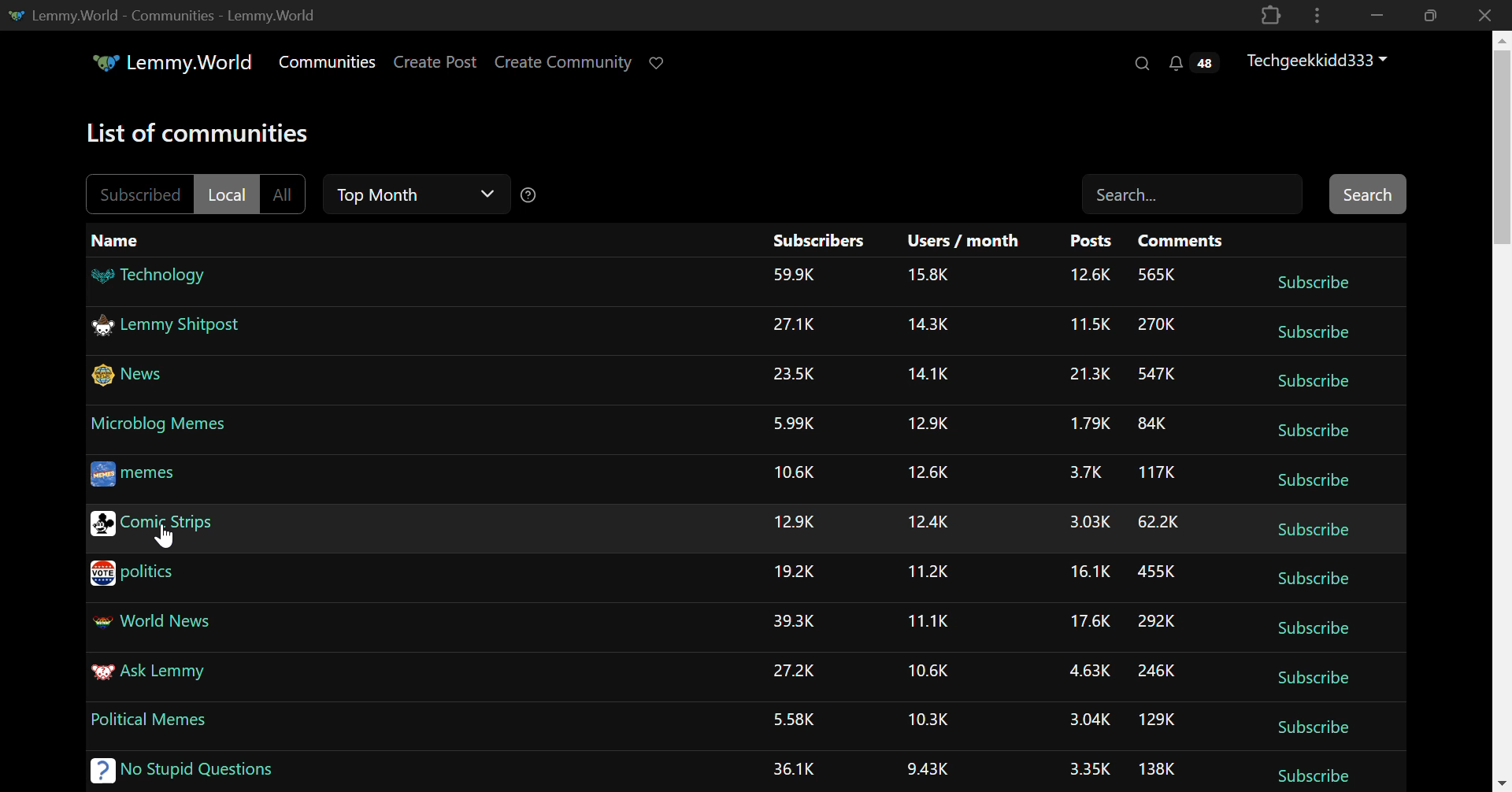 This screenshot has width=1512, height=792. Describe the element at coordinates (1158, 474) in the screenshot. I see `117K` at that location.